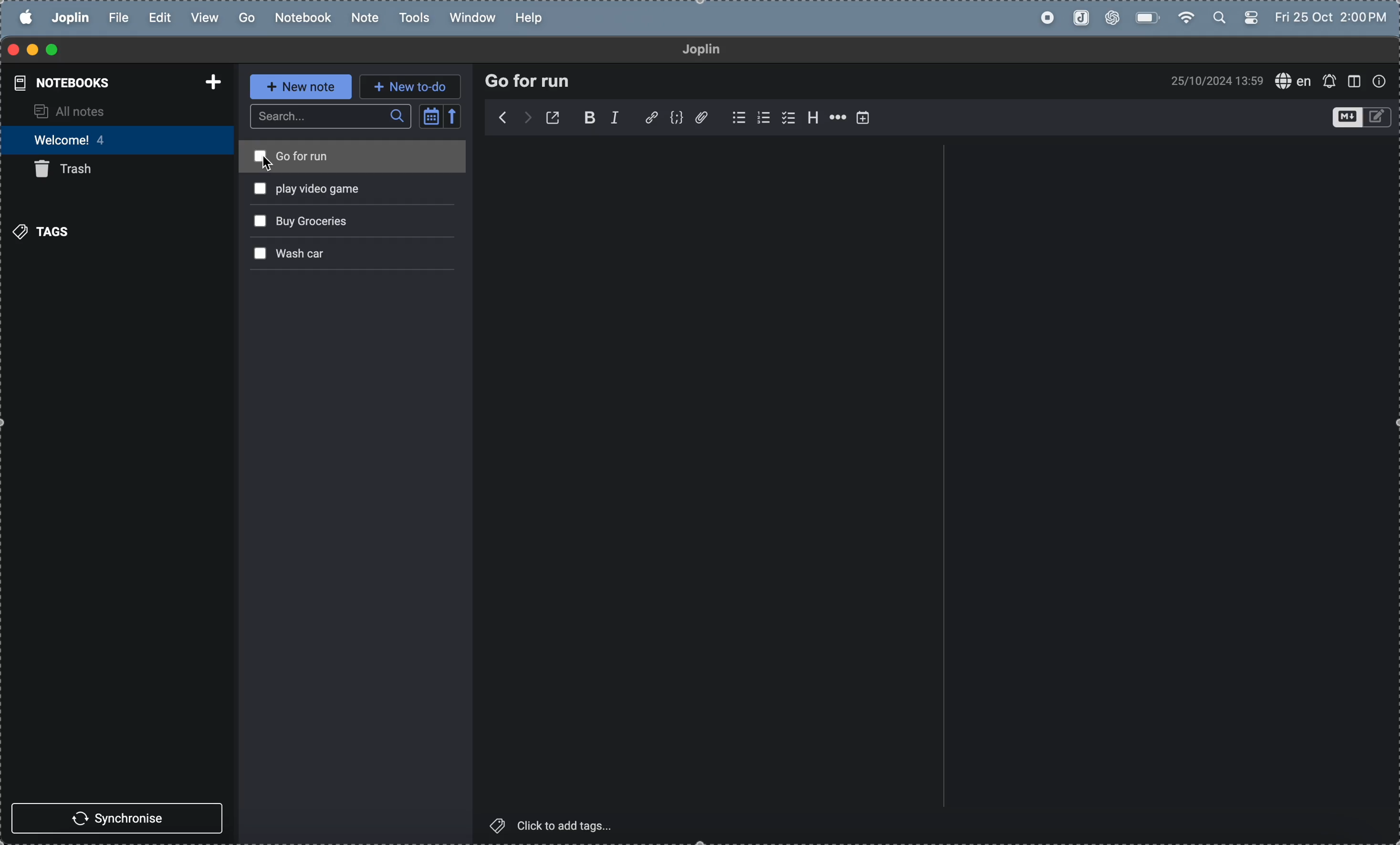 The image size is (1400, 845). I want to click on battery, so click(1147, 19).